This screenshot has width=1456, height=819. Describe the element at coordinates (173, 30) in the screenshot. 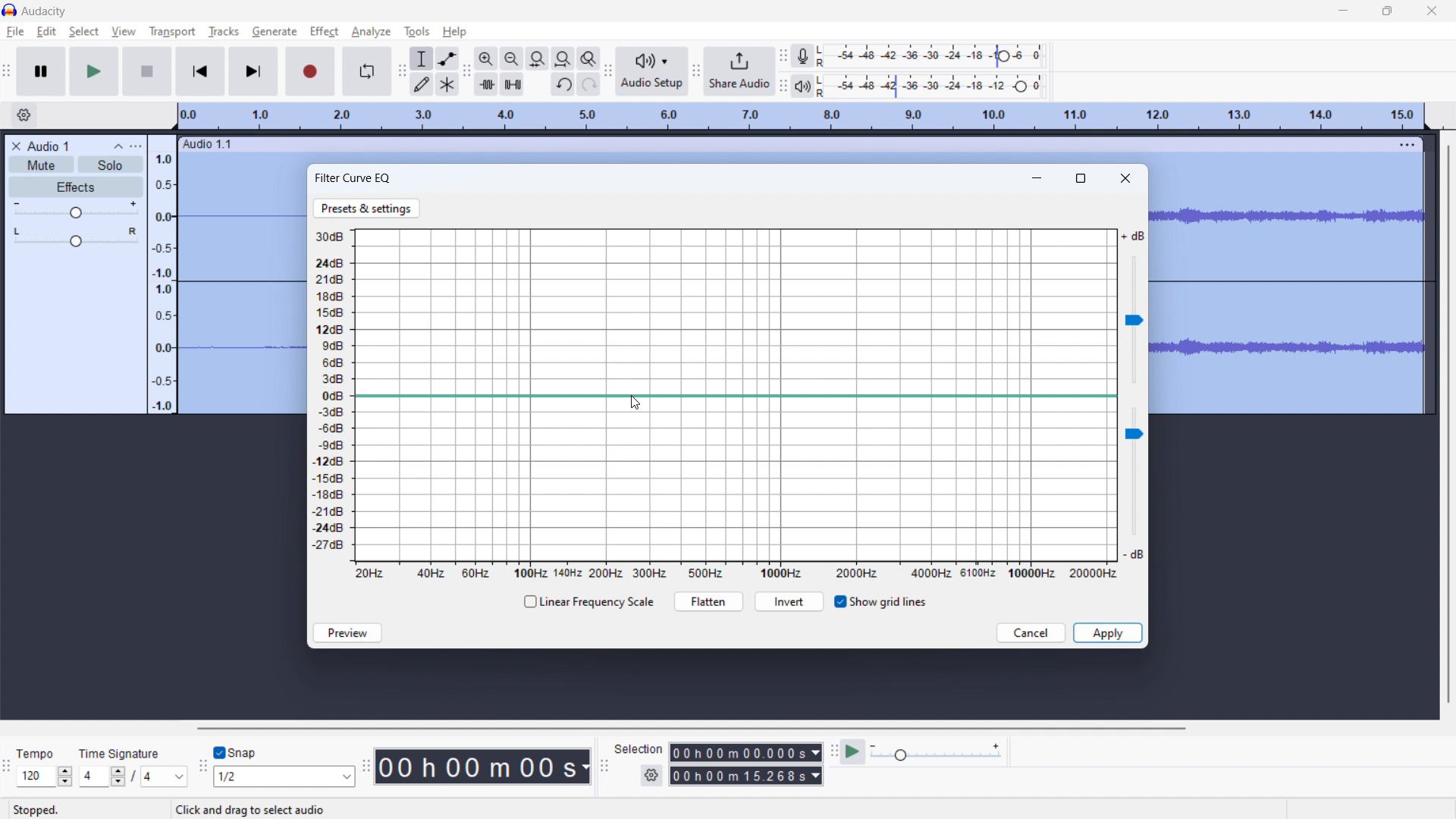

I see `transport` at that location.